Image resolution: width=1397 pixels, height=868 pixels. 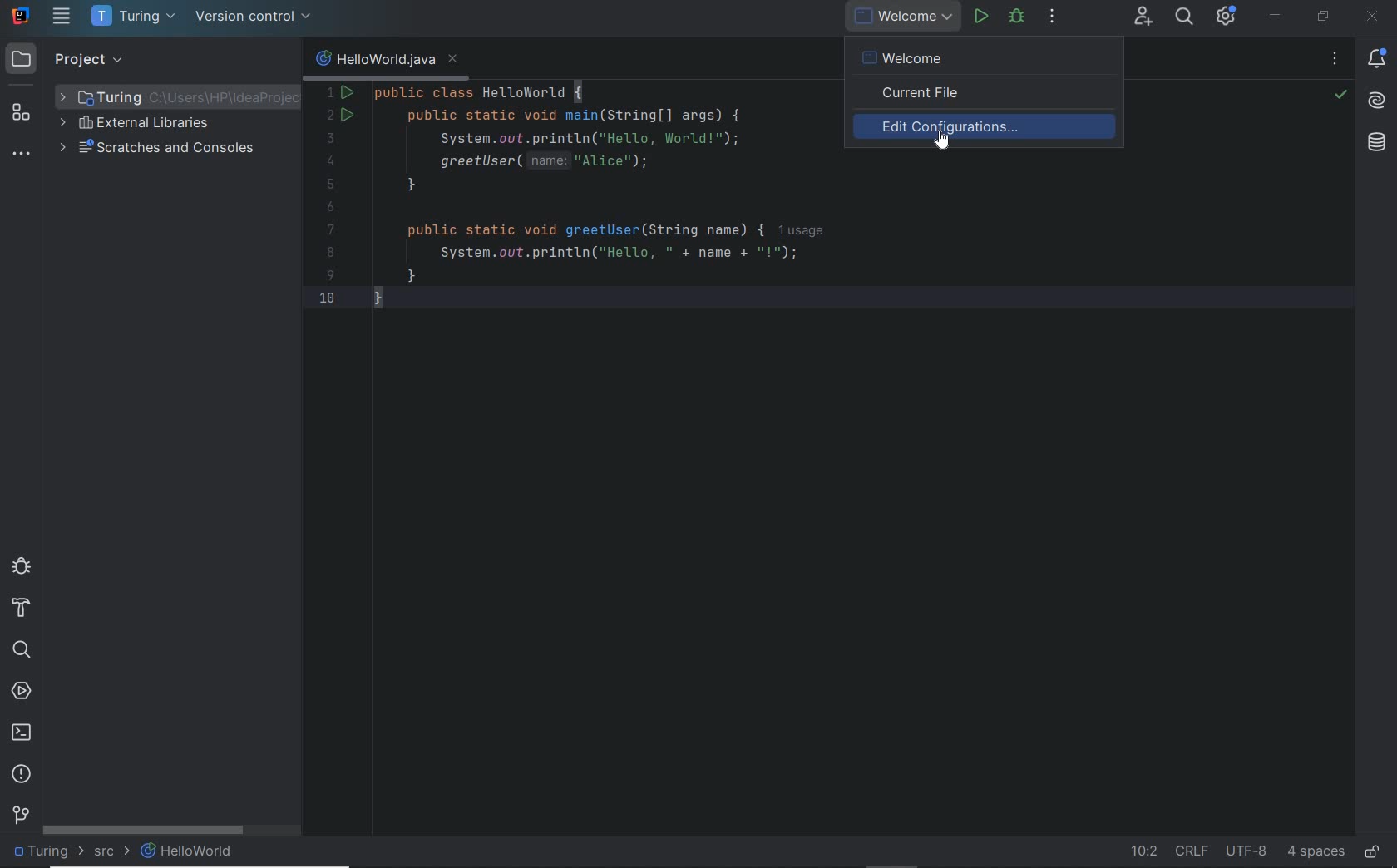 I want to click on IDE & Project Settings, so click(x=1226, y=16).